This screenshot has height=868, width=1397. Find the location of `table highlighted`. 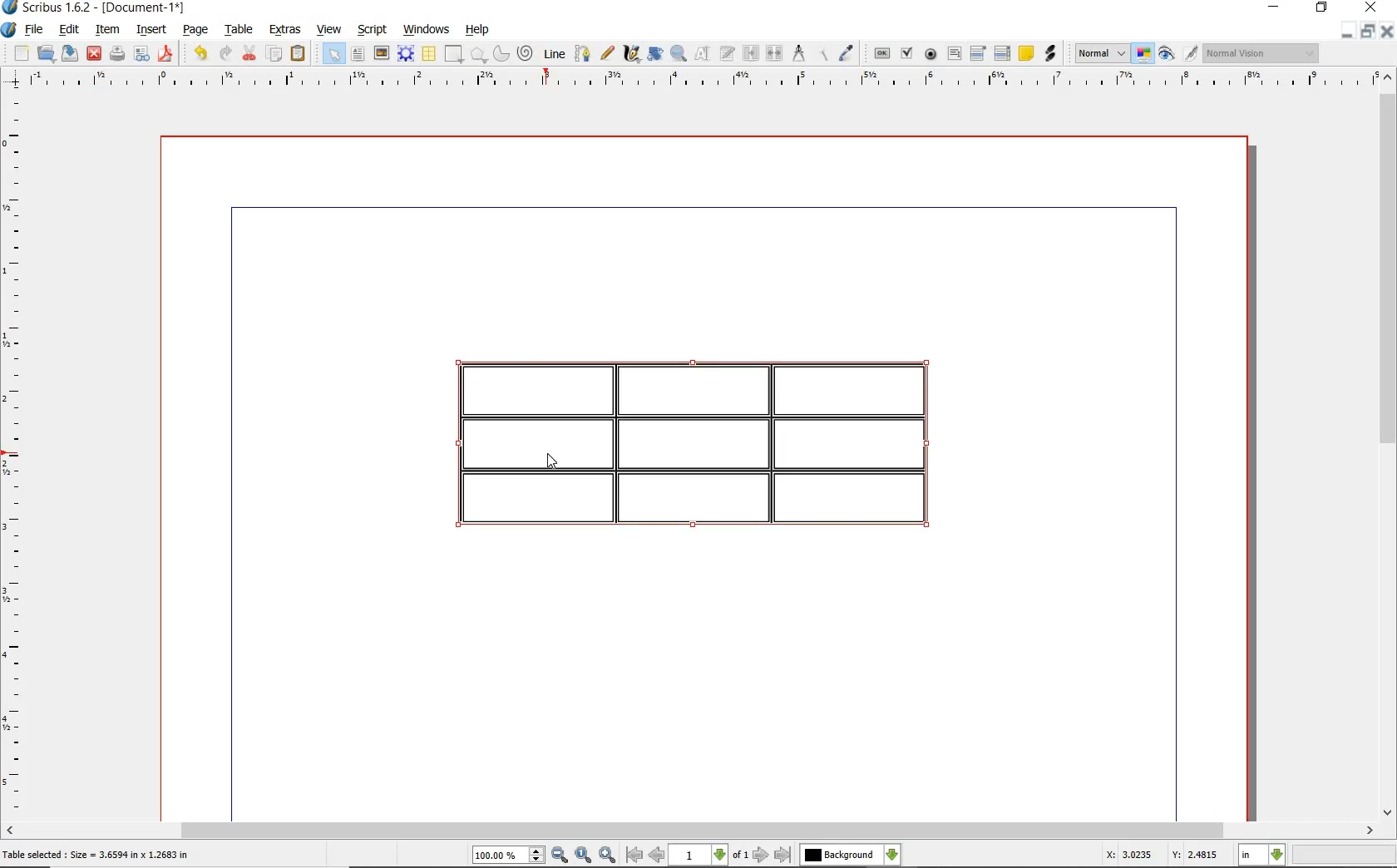

table highlighted is located at coordinates (709, 442).